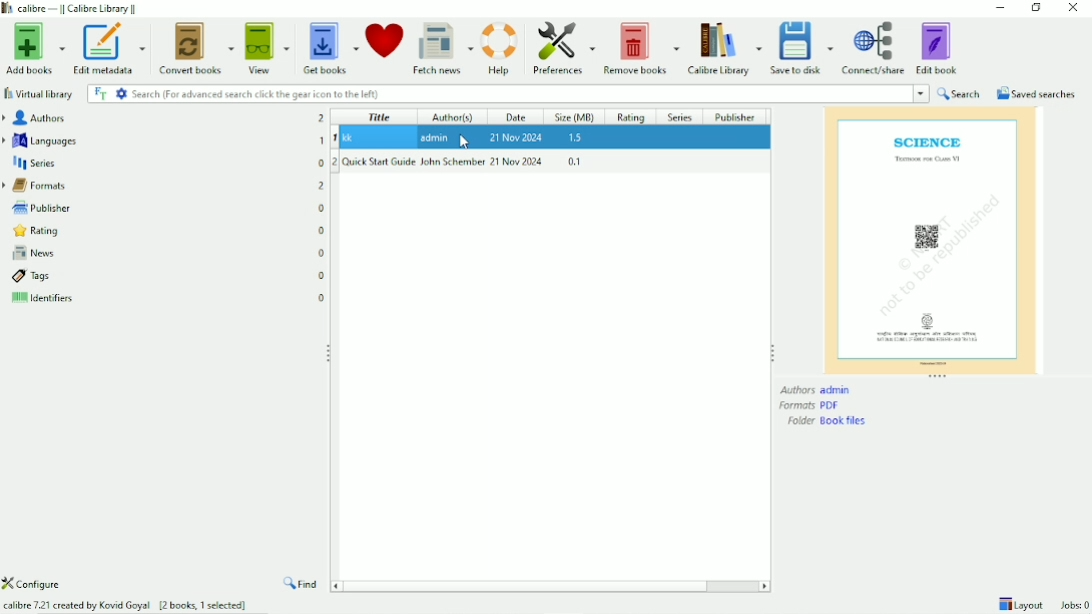 This screenshot has width=1092, height=614. Describe the element at coordinates (774, 353) in the screenshot. I see `Resize` at that location.